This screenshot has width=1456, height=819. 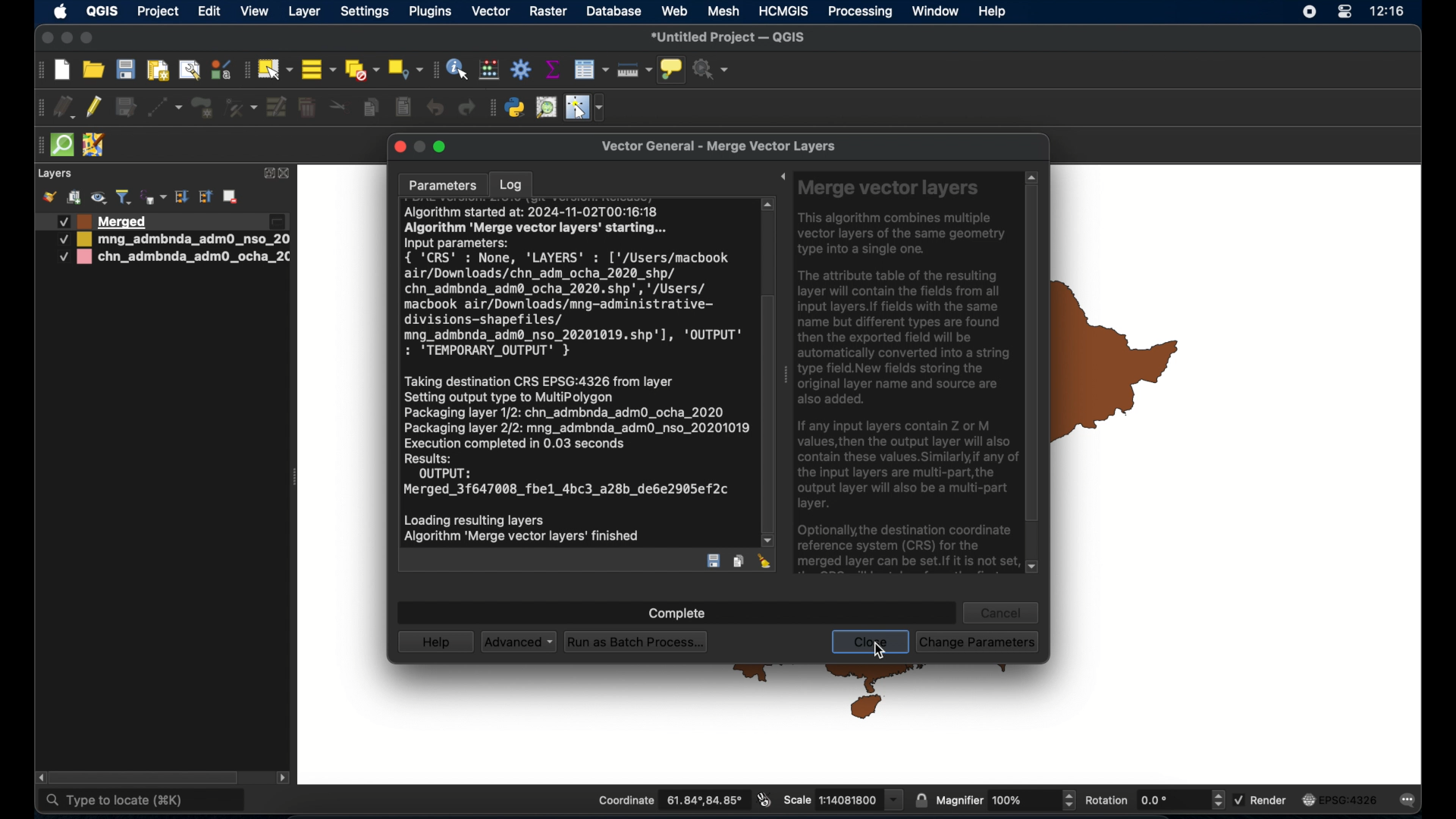 I want to click on edited layer icon, so click(x=277, y=222).